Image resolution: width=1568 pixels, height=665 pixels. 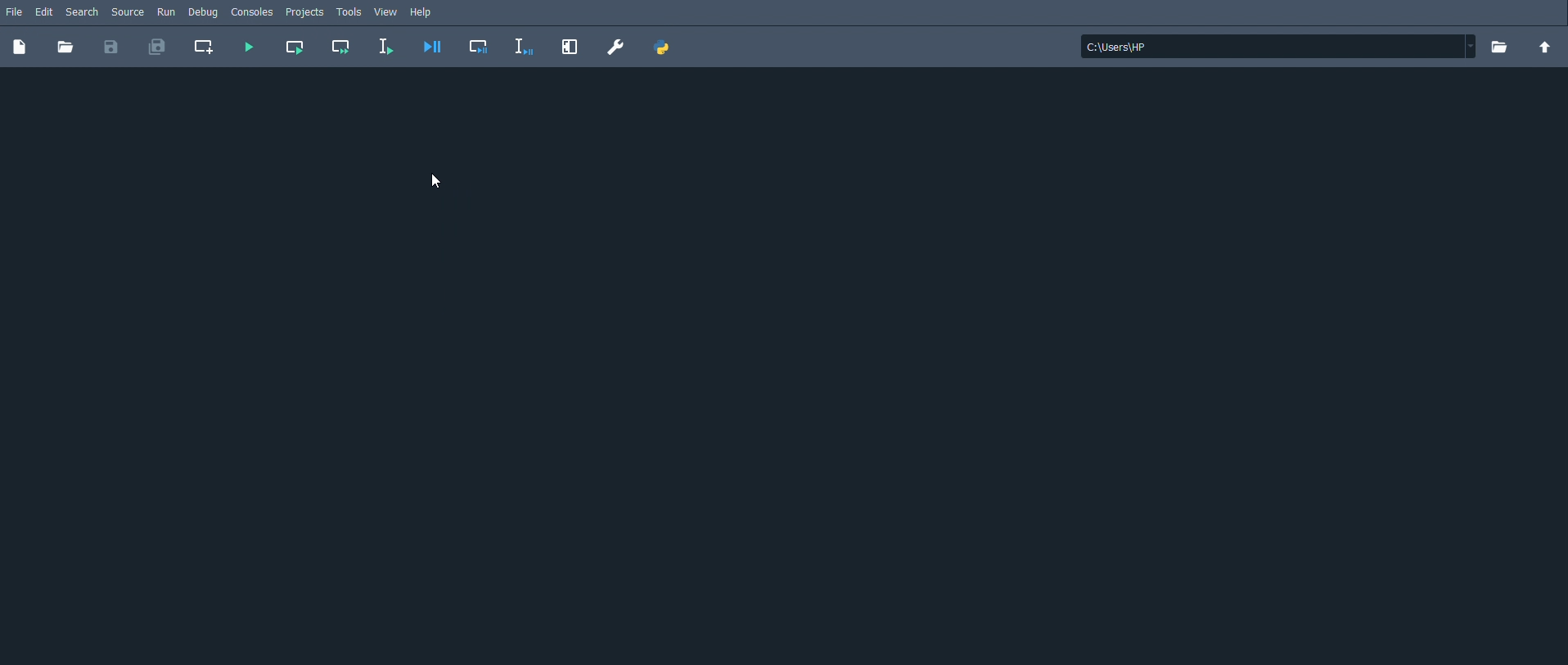 I want to click on Run, so click(x=165, y=13).